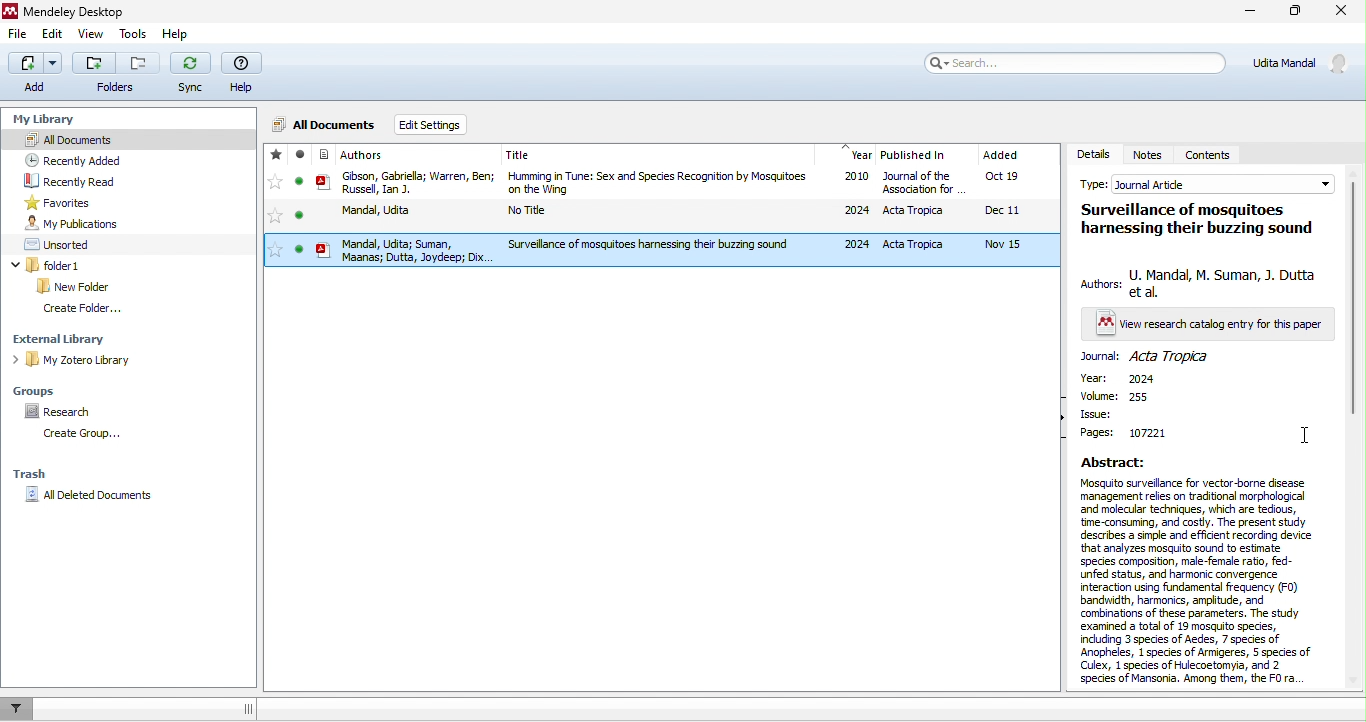  I want to click on Mandal, Udita No Title 2024 Acta Tropica Dec11, so click(666, 212).